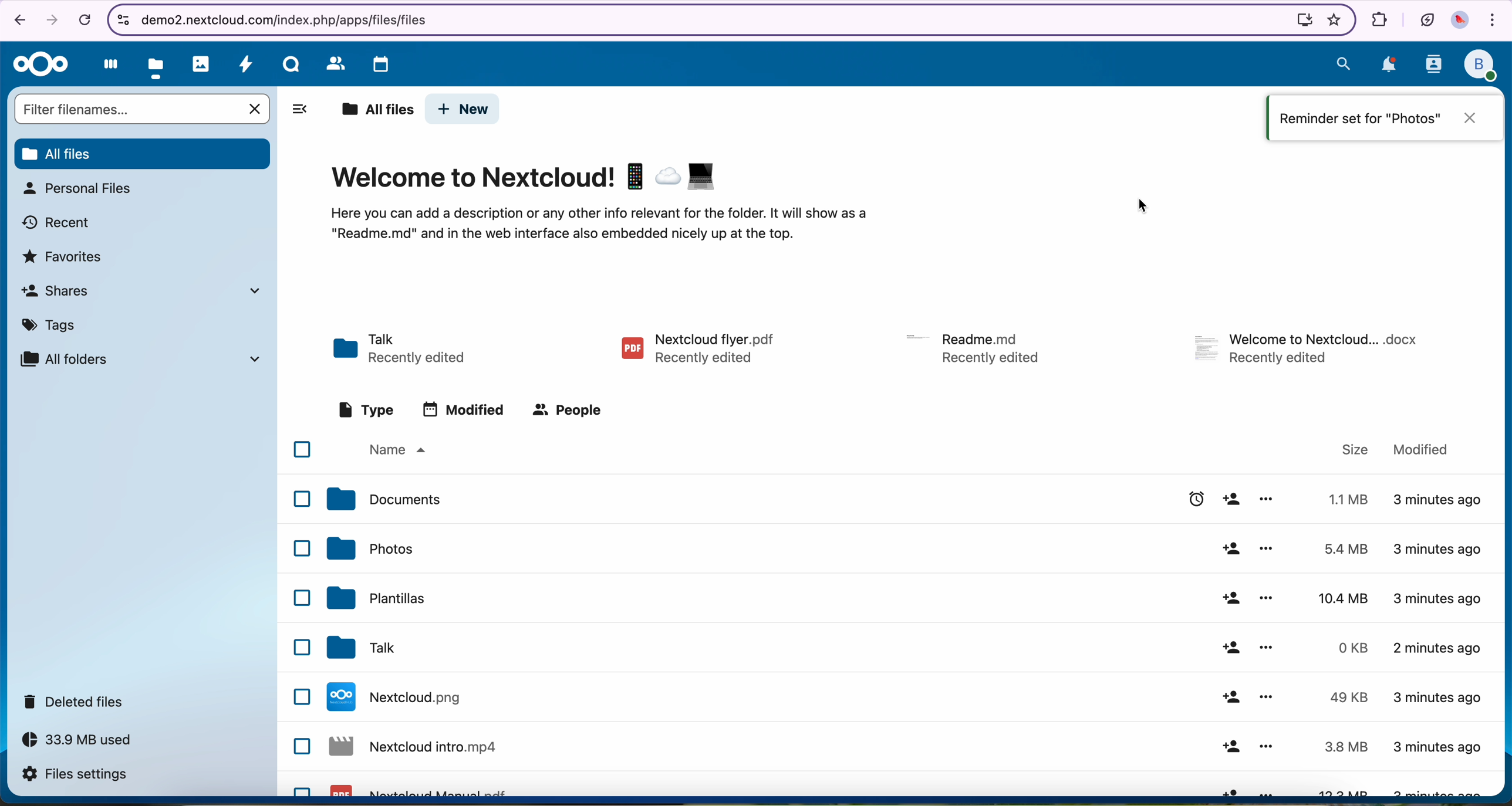 The height and width of the screenshot is (806, 1512). Describe the element at coordinates (1356, 450) in the screenshot. I see `size` at that location.